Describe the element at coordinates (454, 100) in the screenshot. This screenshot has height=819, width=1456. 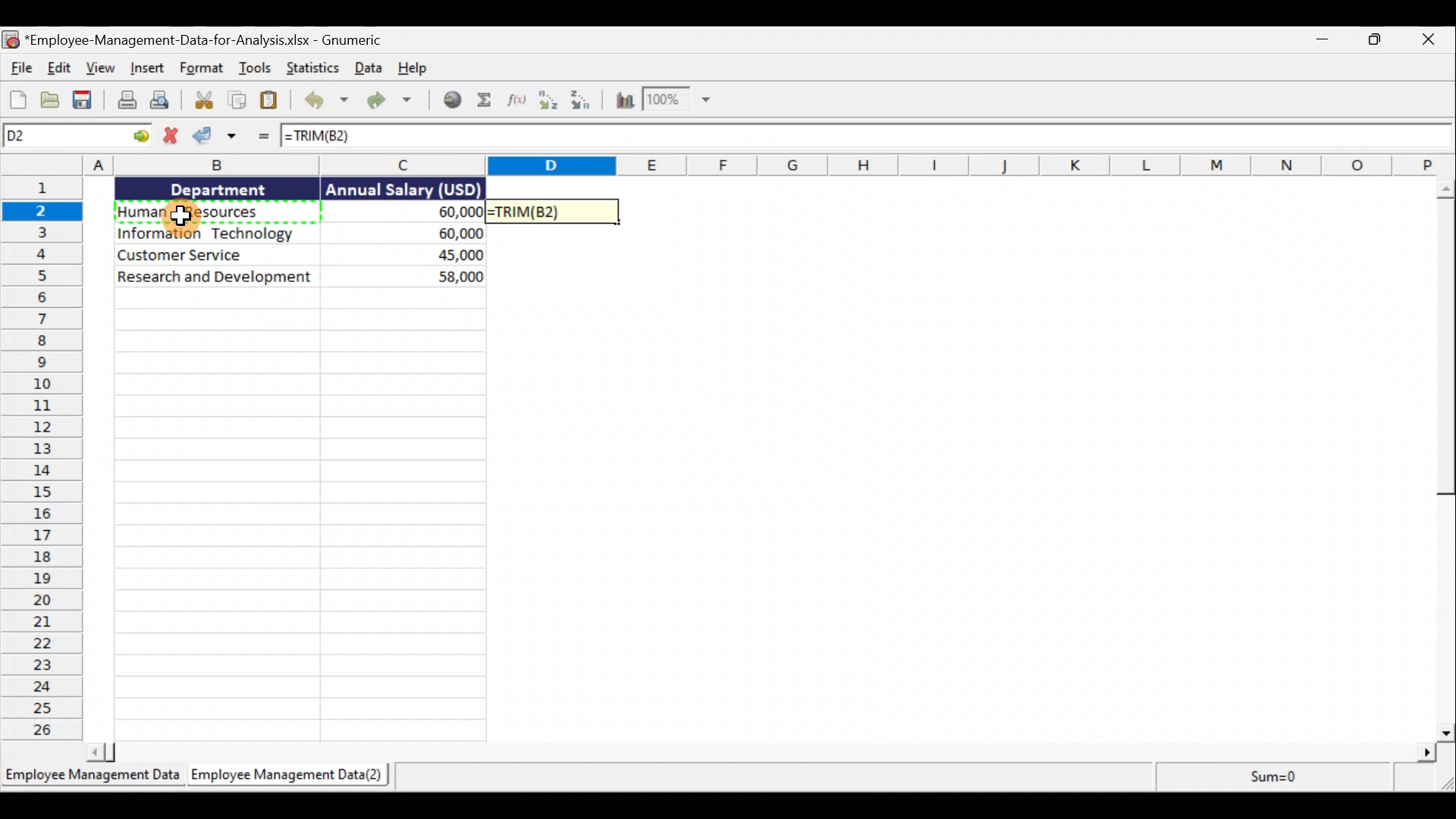
I see `Insert a hyperlink` at that location.